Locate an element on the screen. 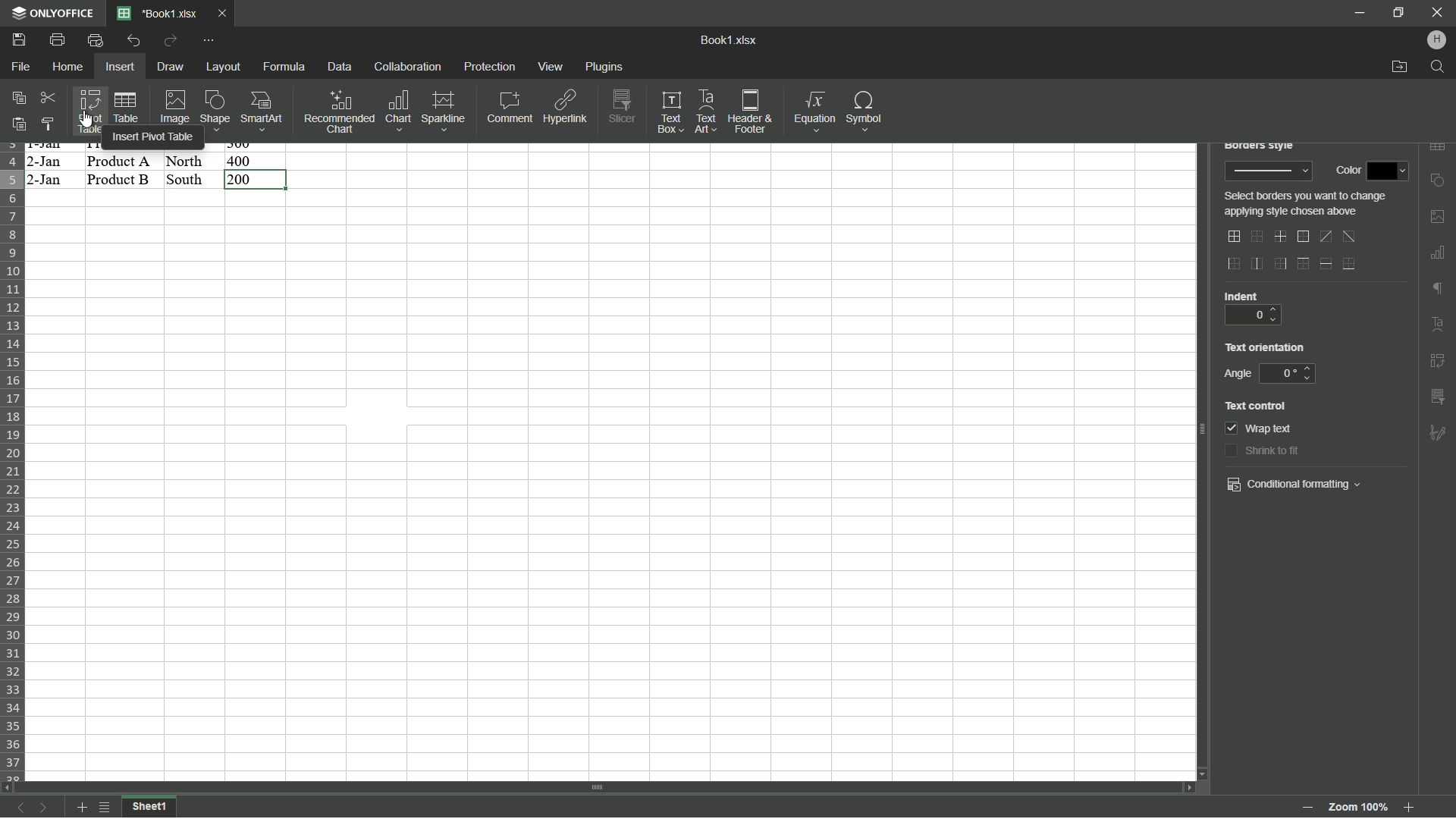 This screenshot has height=819, width=1456. Insert is located at coordinates (120, 67).